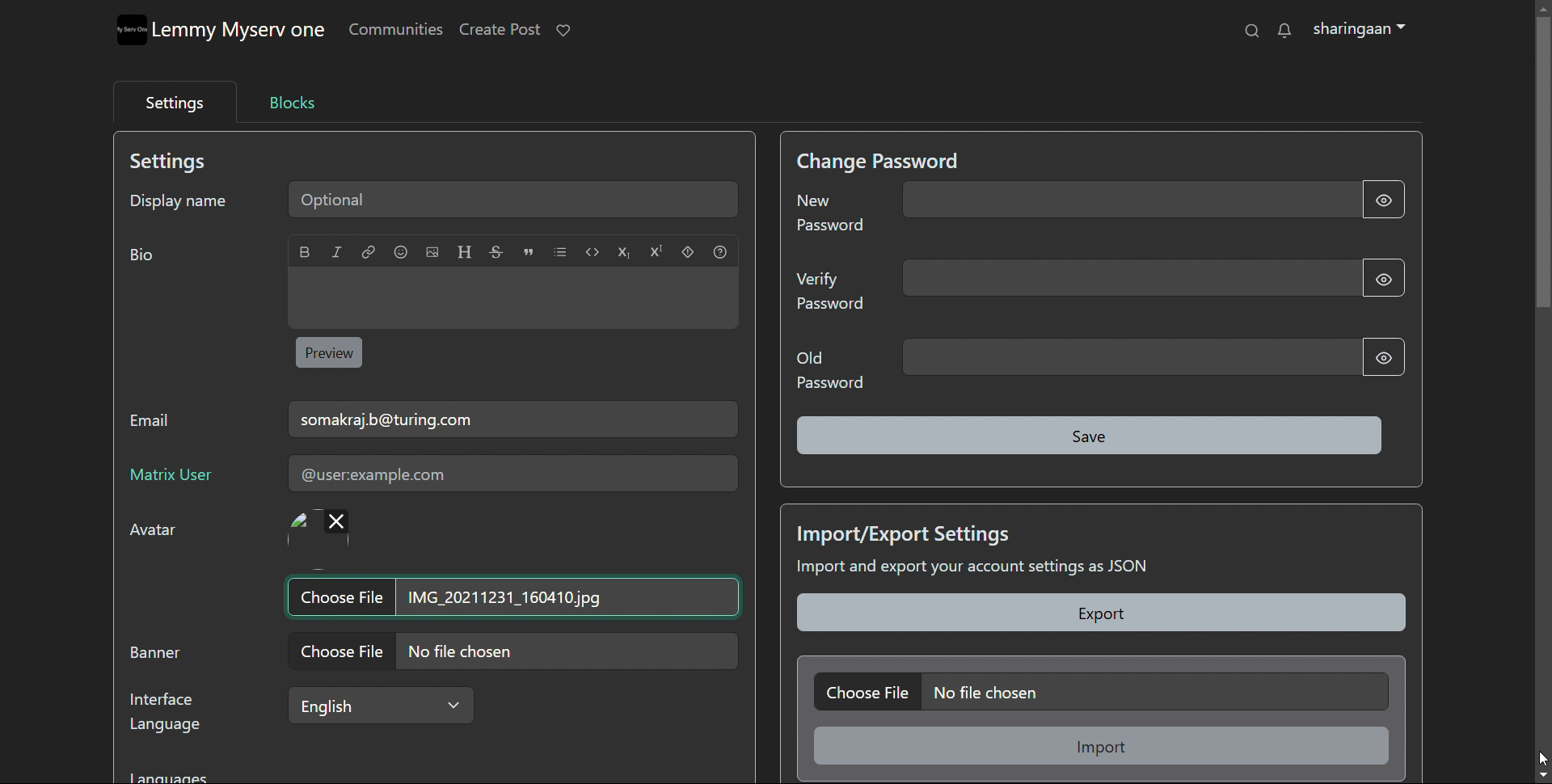  What do you see at coordinates (559, 251) in the screenshot?
I see `list` at bounding box center [559, 251].